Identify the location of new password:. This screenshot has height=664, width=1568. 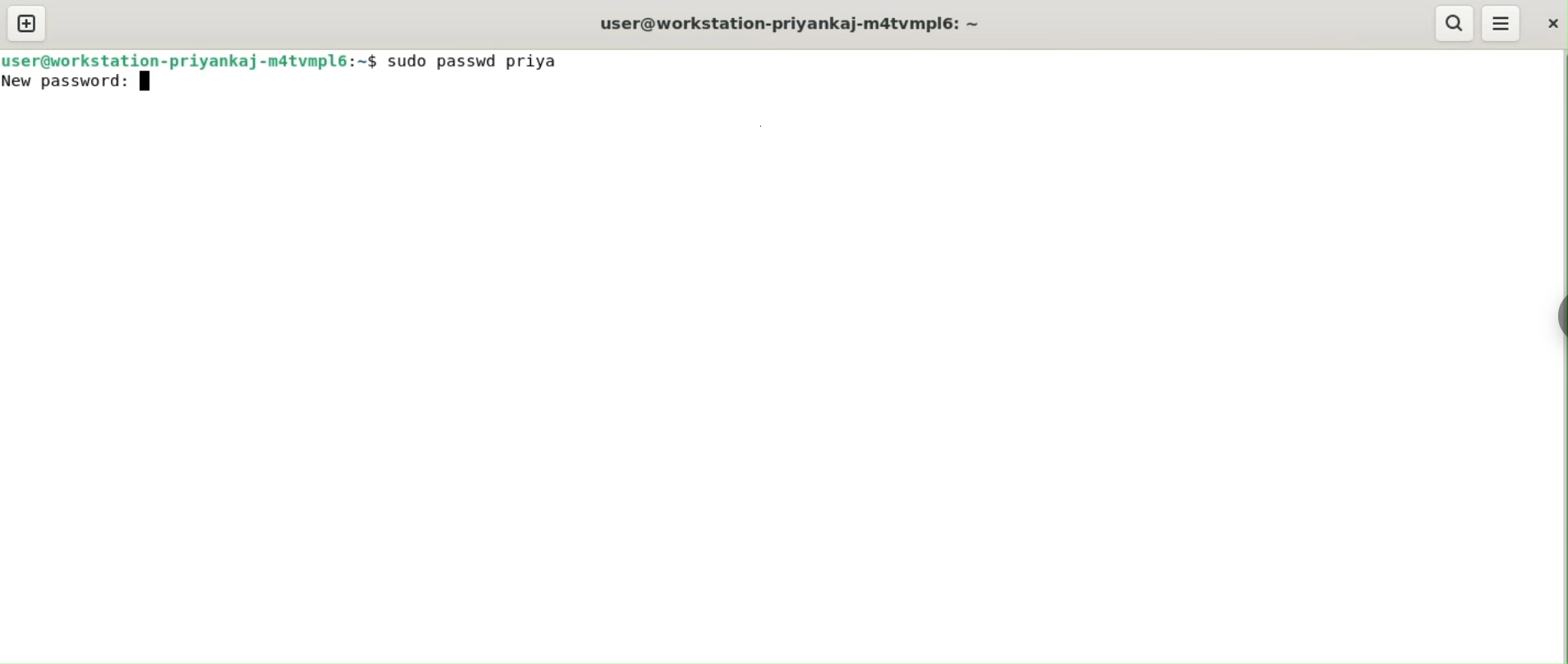
(64, 82).